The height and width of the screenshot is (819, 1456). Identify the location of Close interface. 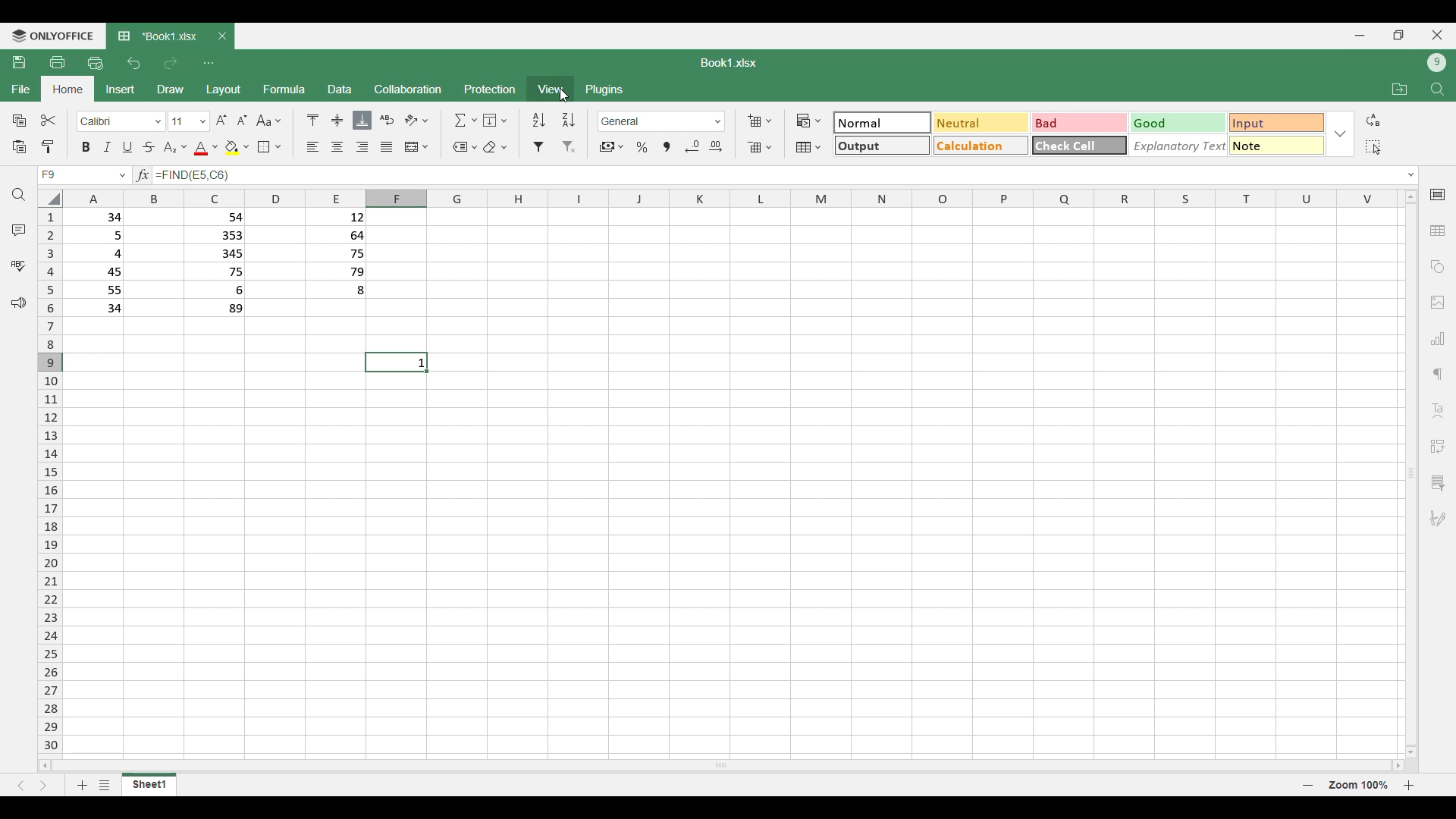
(1438, 35).